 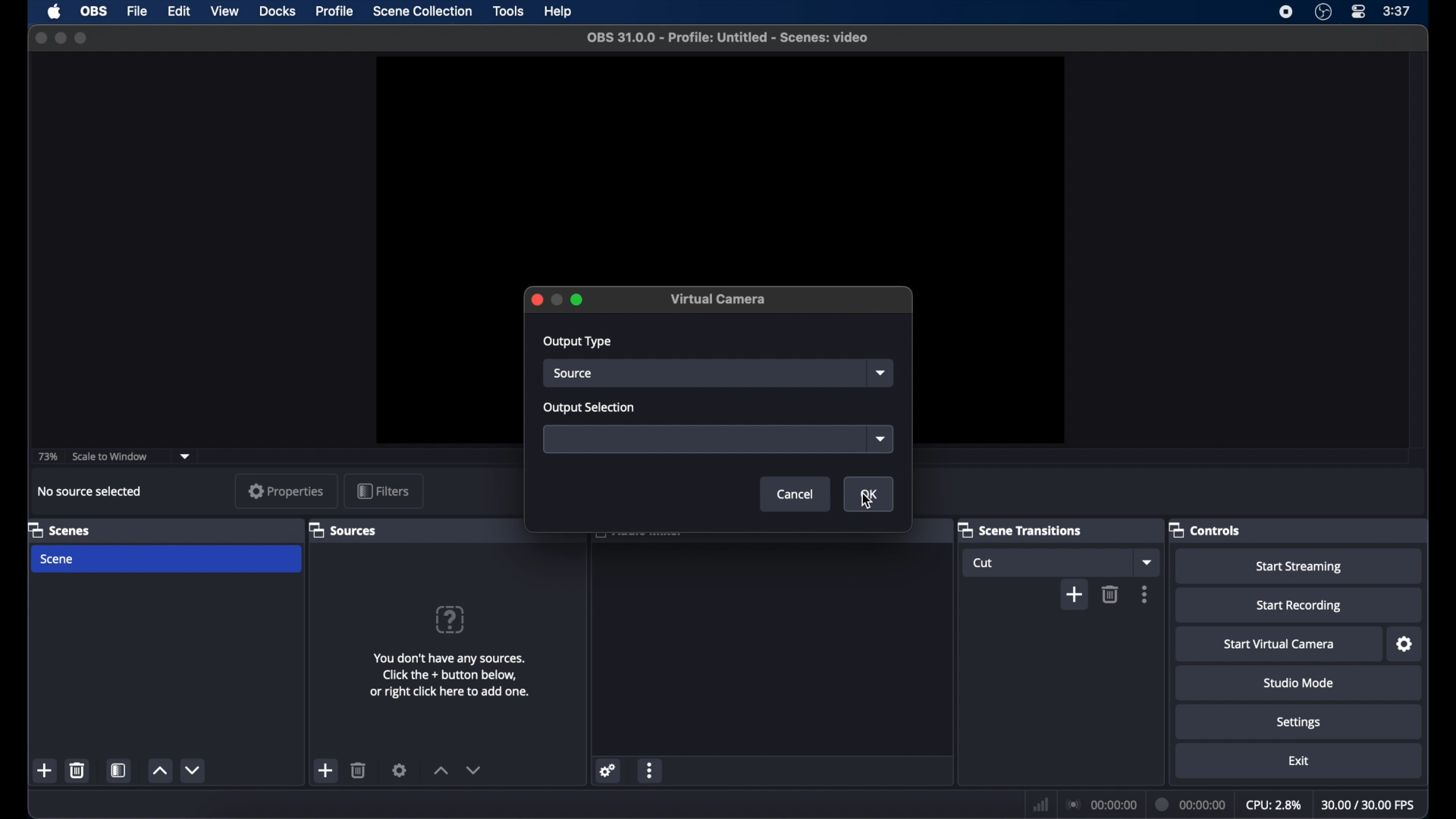 What do you see at coordinates (359, 770) in the screenshot?
I see `delete` at bounding box center [359, 770].